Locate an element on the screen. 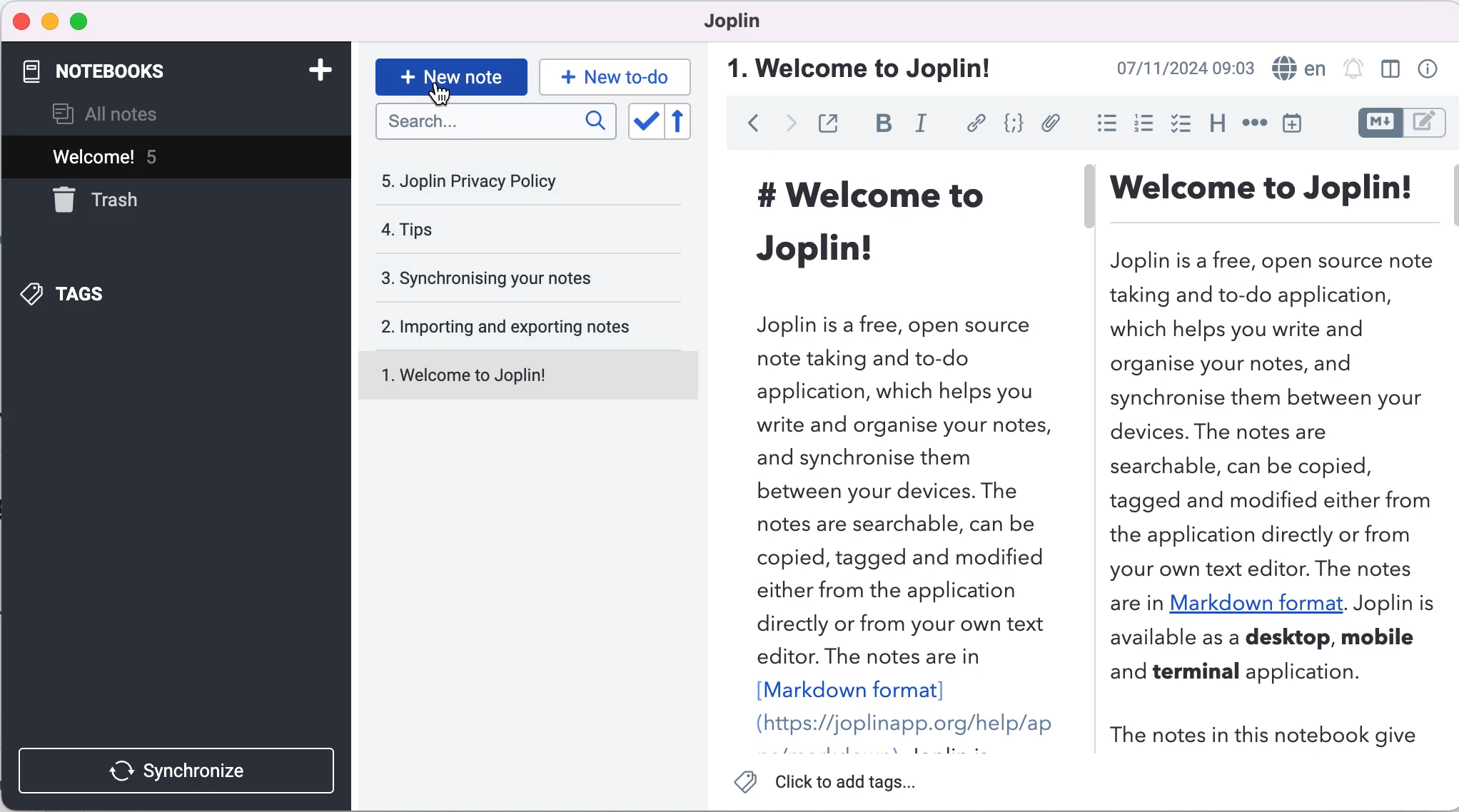  new note is located at coordinates (449, 76).